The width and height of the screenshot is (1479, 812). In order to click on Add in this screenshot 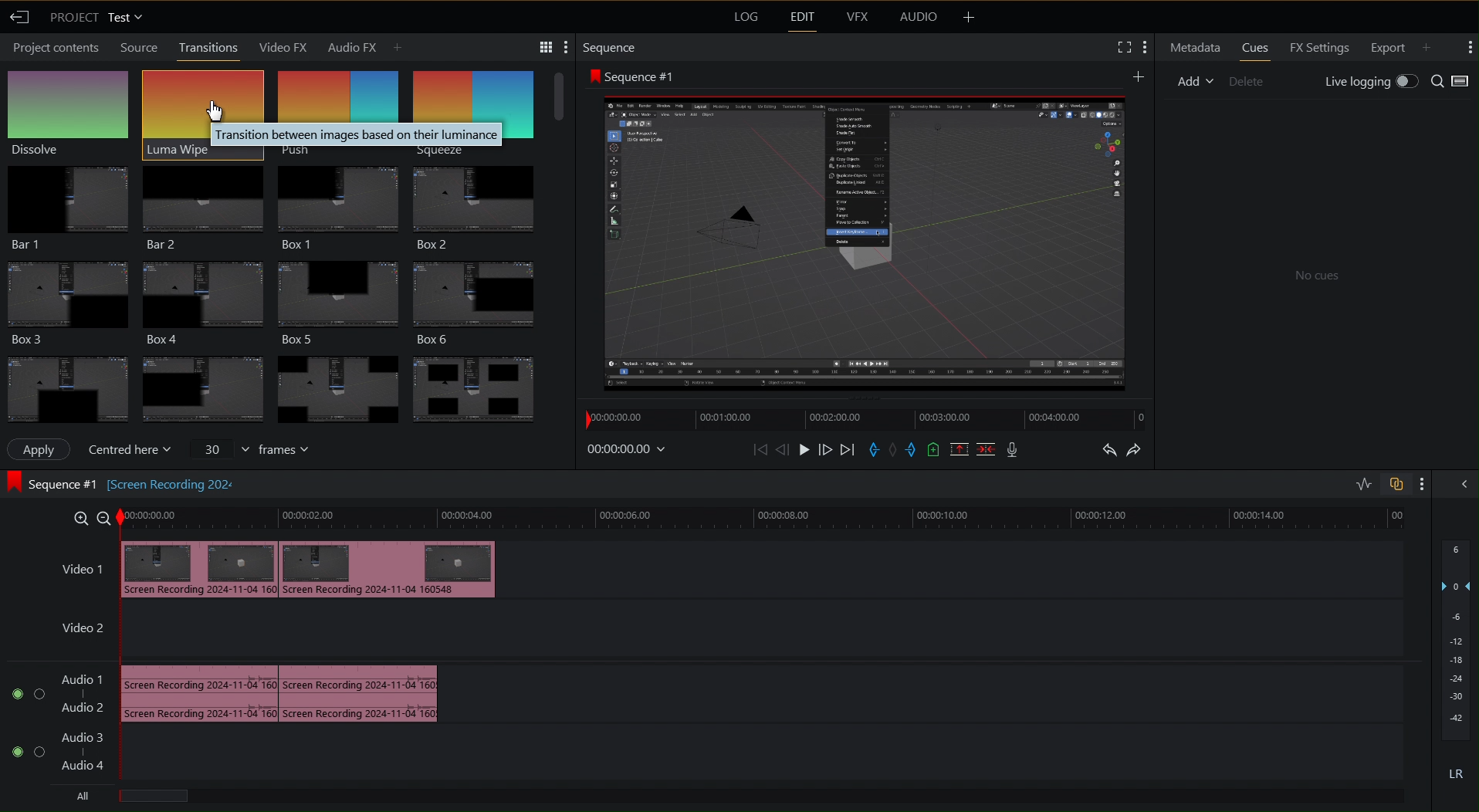, I will do `click(1139, 75)`.